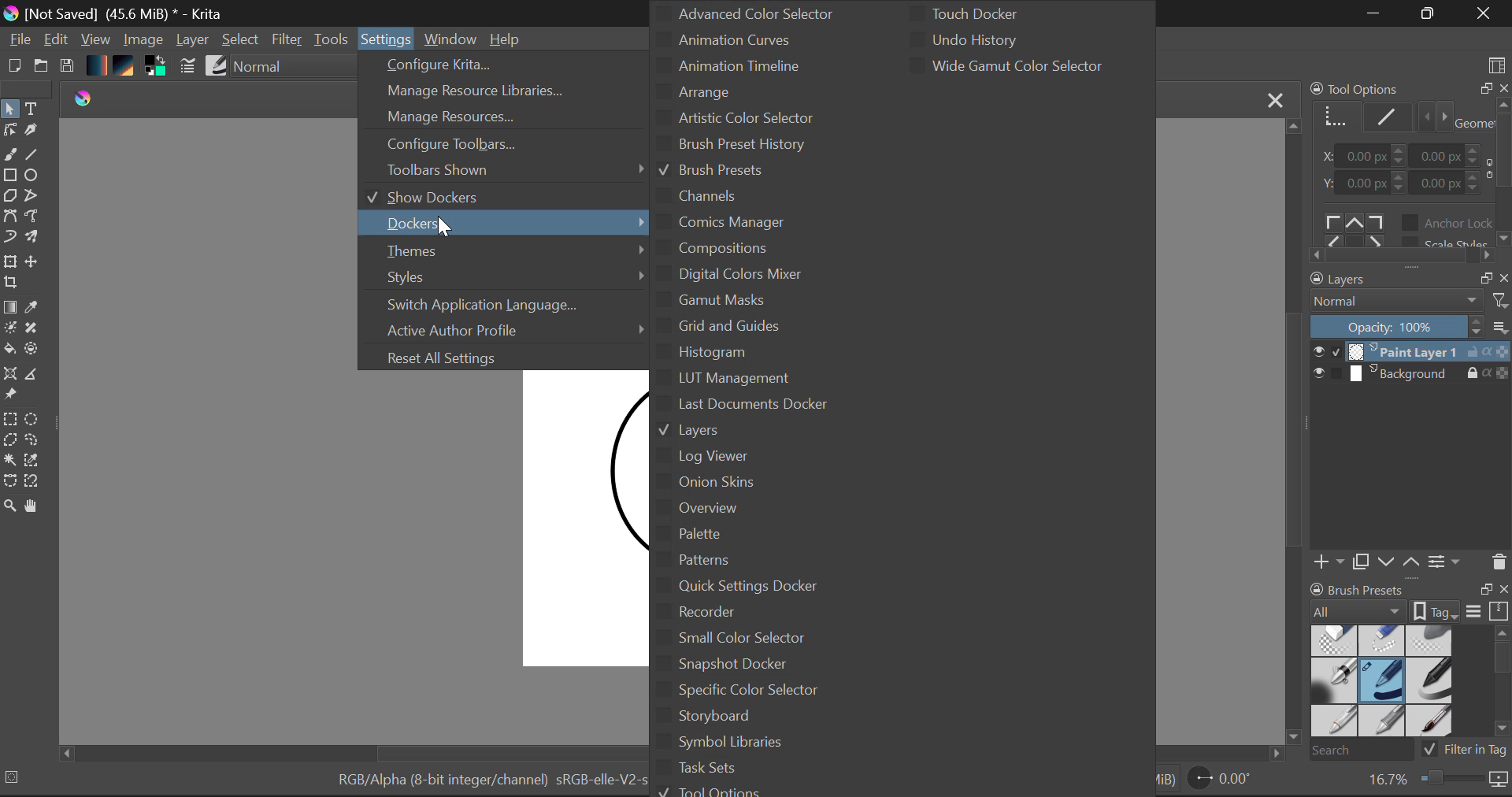  Describe the element at coordinates (37, 375) in the screenshot. I see `Measurements` at that location.